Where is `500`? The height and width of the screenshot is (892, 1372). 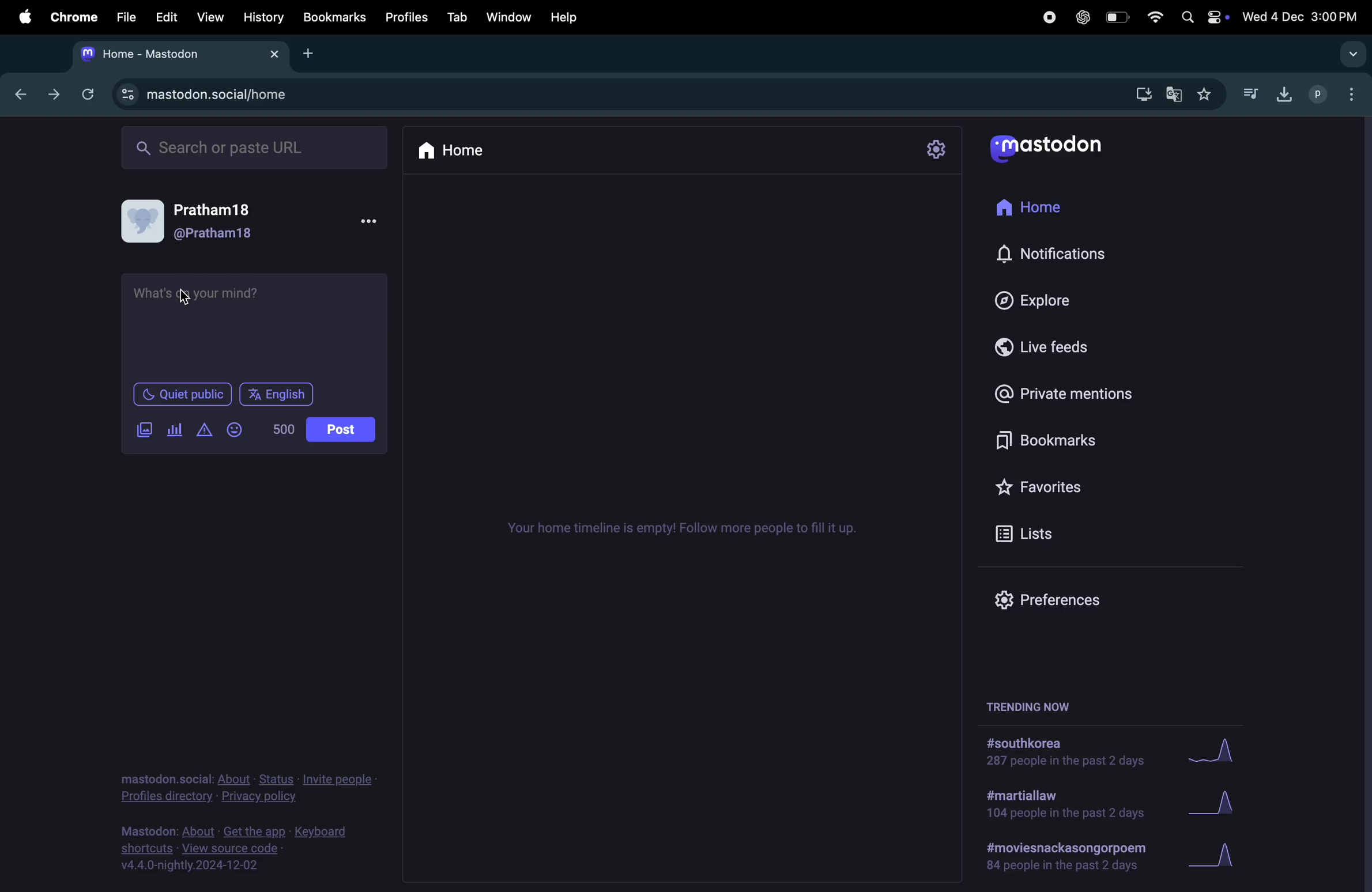 500 is located at coordinates (281, 429).